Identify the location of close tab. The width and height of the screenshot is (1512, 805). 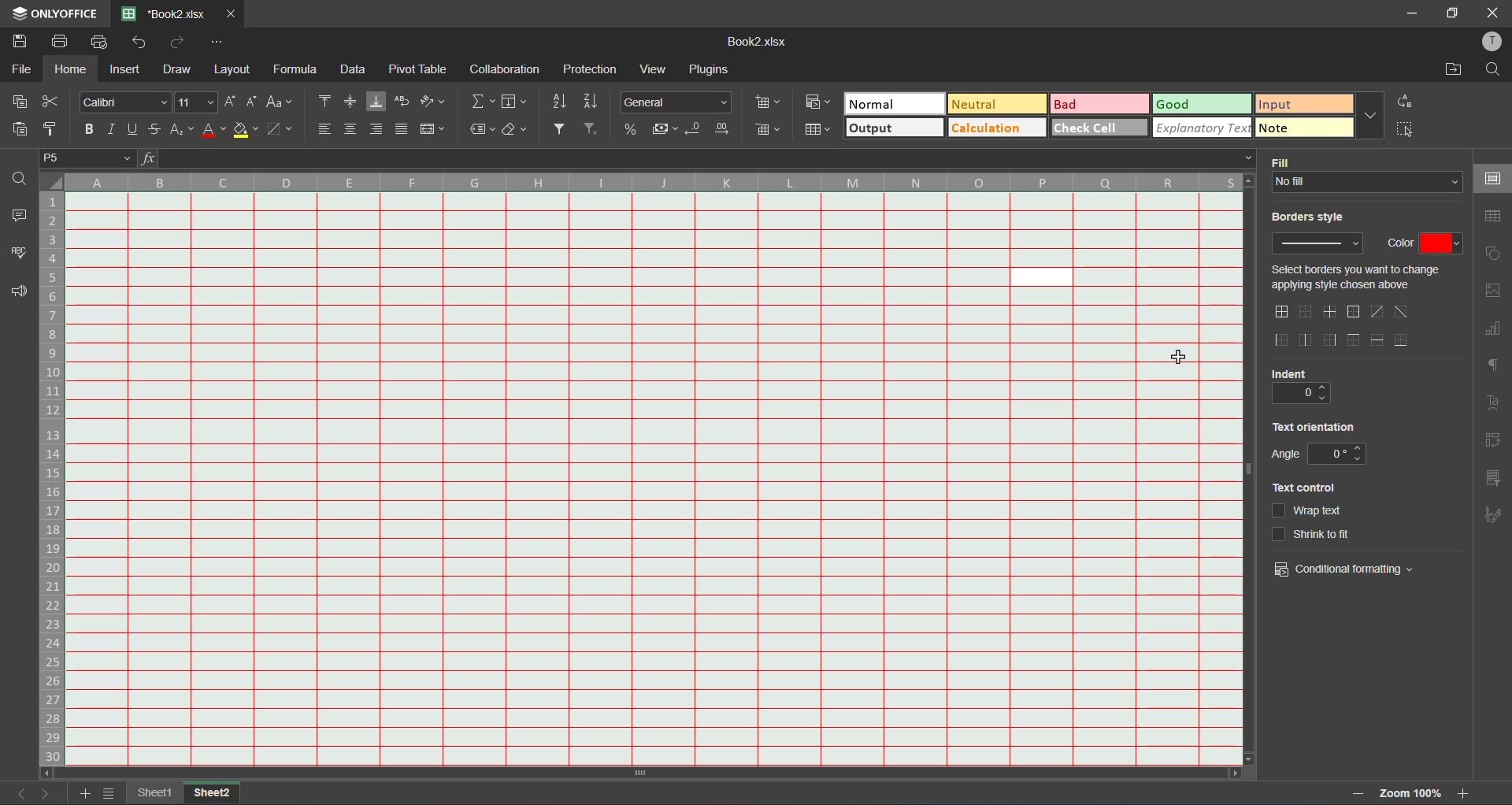
(230, 12).